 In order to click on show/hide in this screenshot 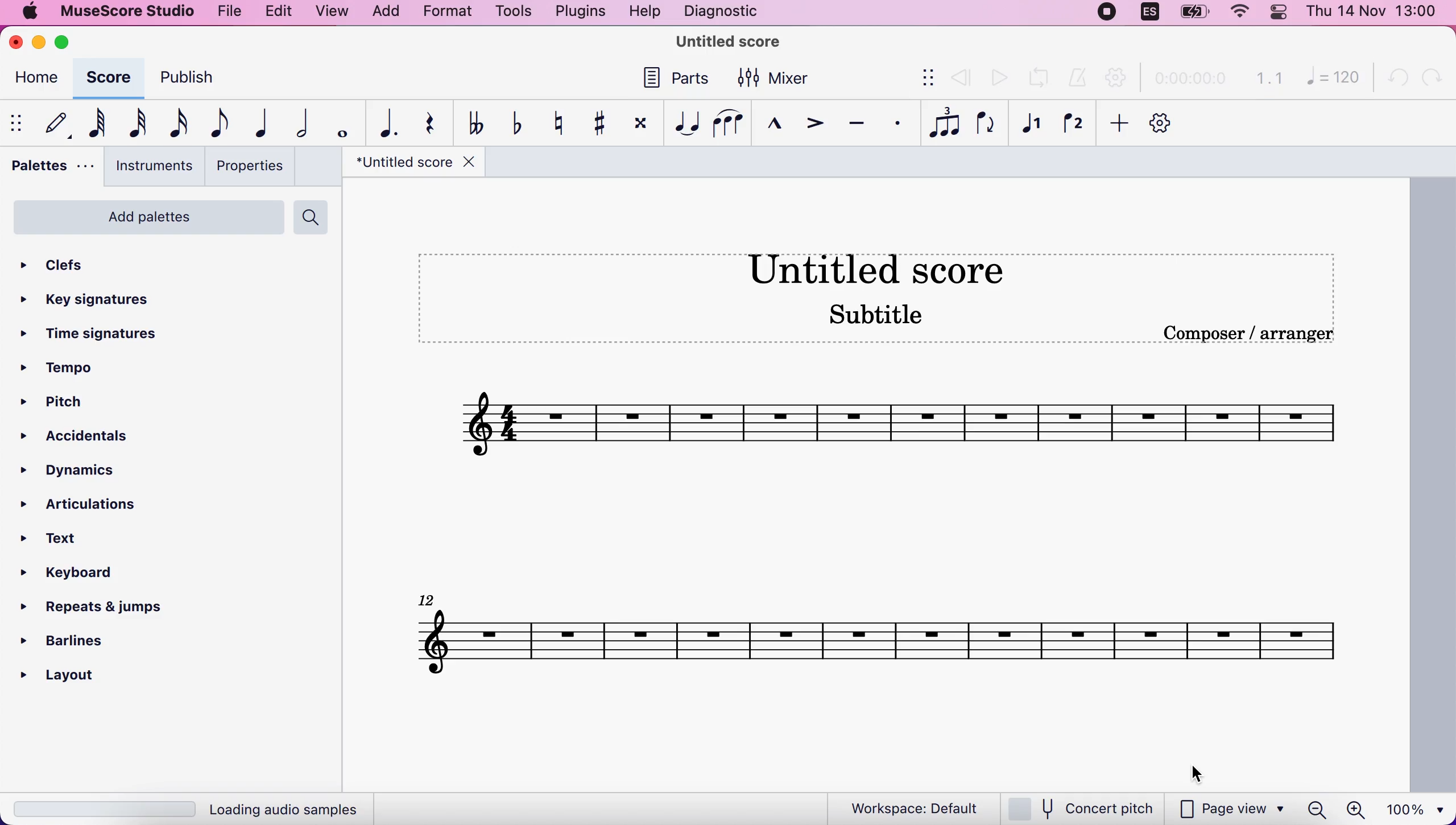, I will do `click(20, 122)`.